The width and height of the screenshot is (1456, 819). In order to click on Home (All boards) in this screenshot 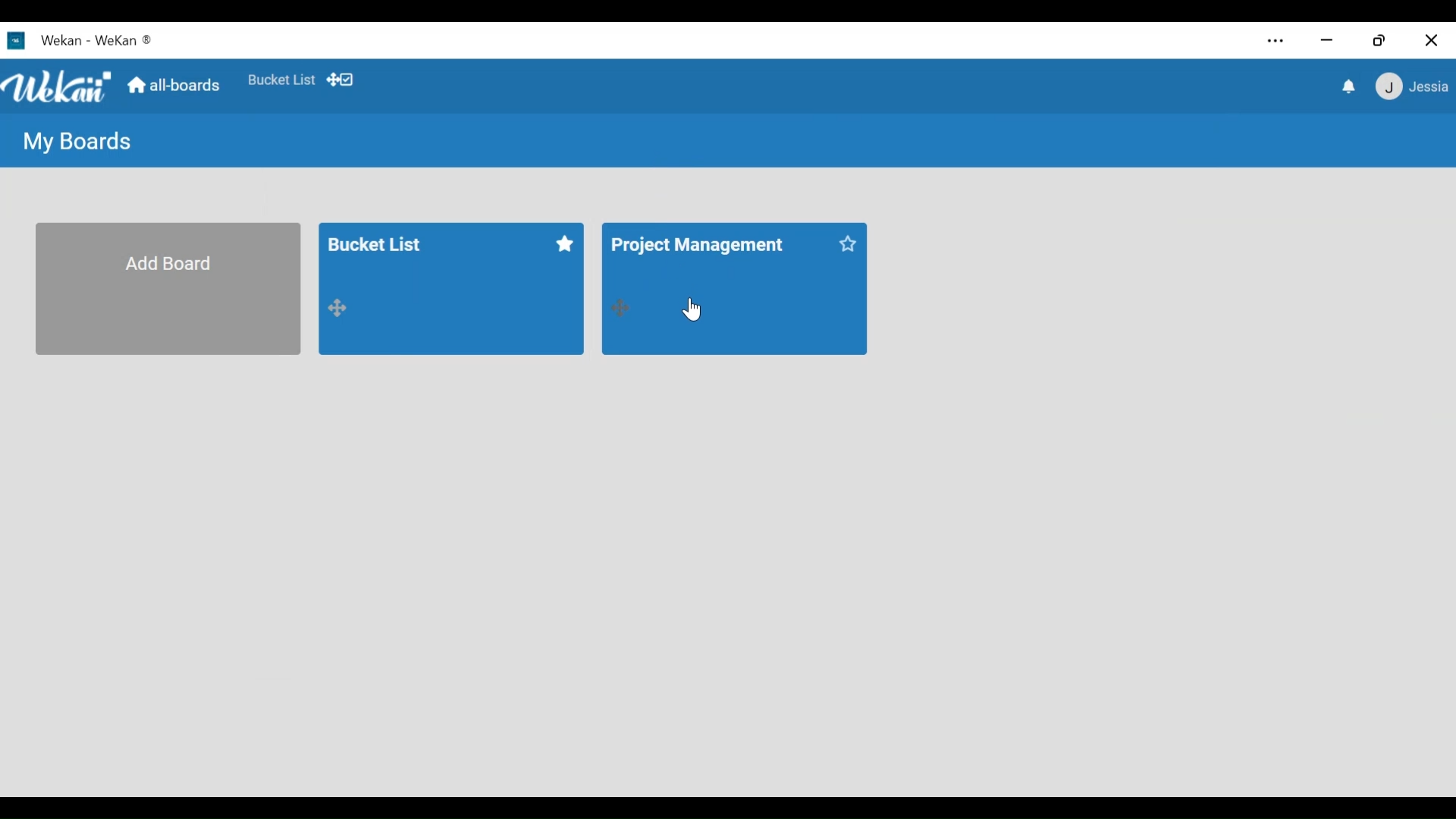, I will do `click(176, 84)`.